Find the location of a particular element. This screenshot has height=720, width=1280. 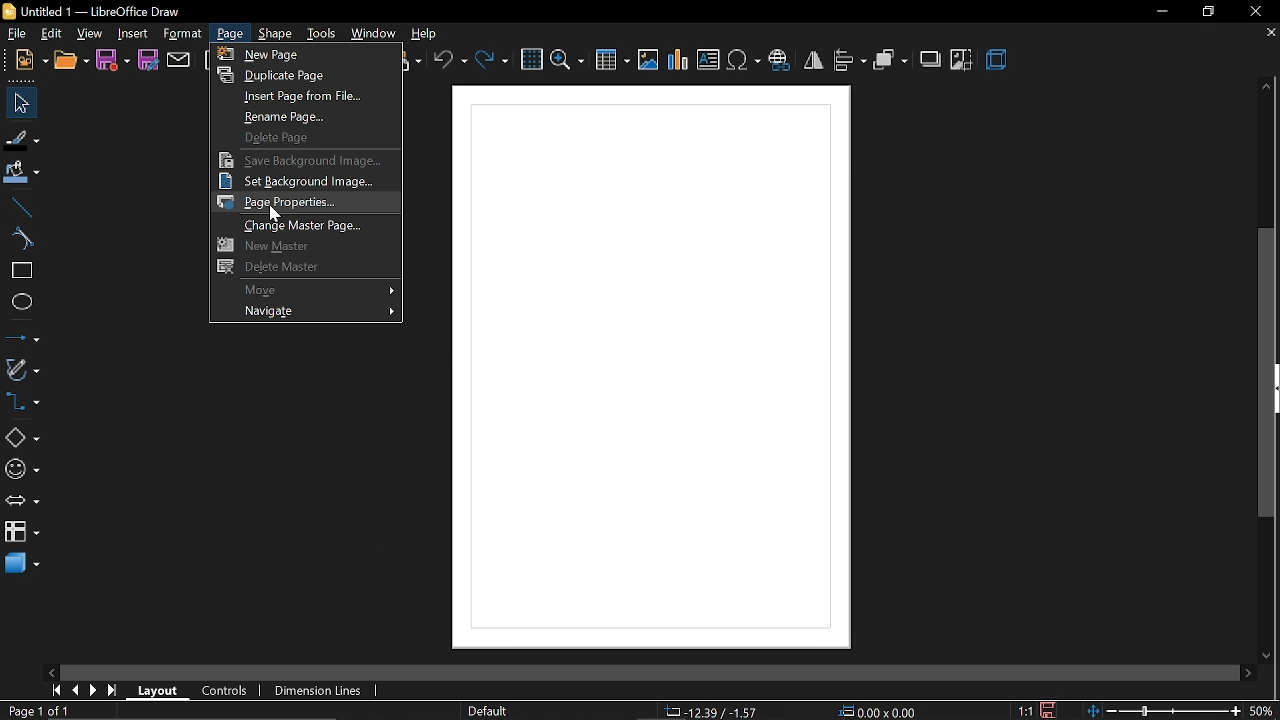

insert page from file is located at coordinates (302, 98).